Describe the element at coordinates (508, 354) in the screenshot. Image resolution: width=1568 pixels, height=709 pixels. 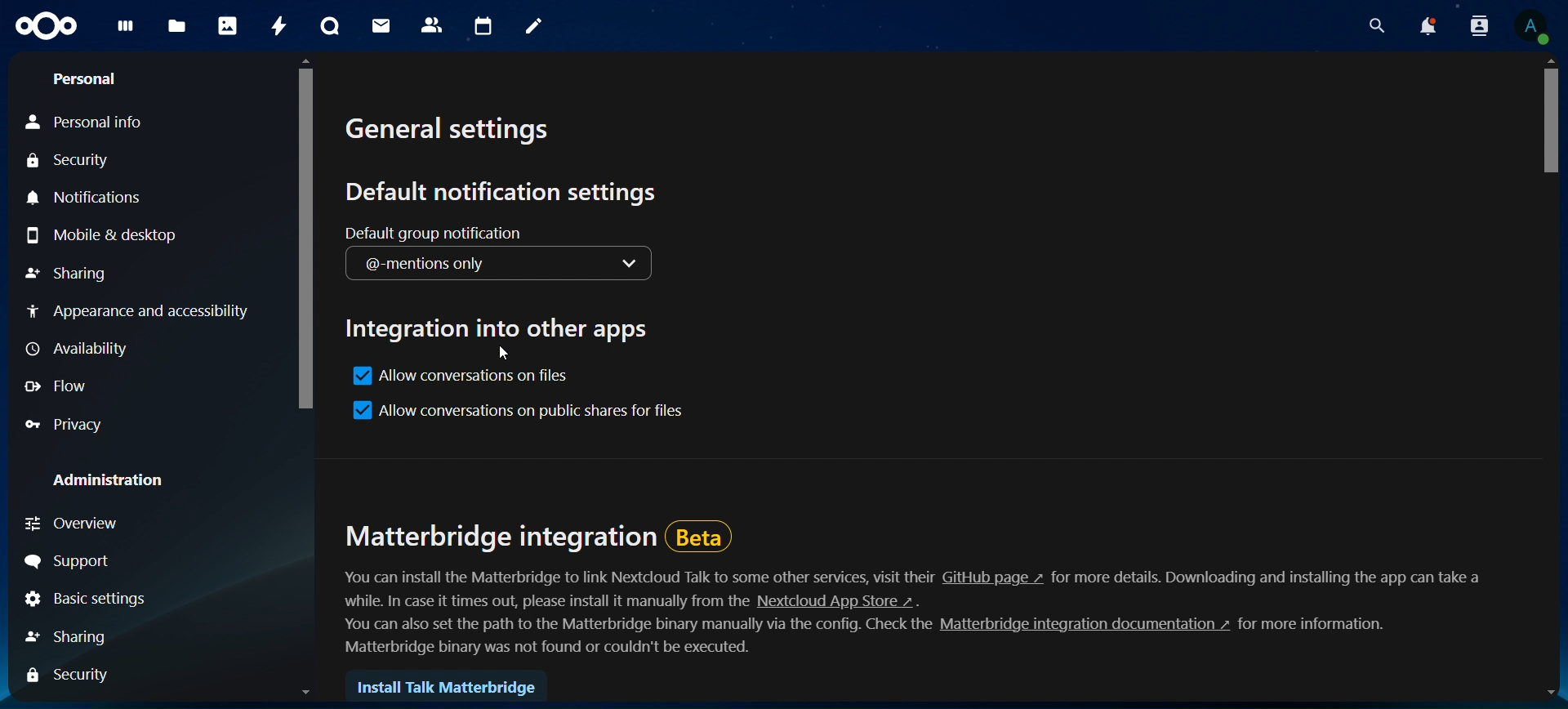
I see `cursor` at that location.